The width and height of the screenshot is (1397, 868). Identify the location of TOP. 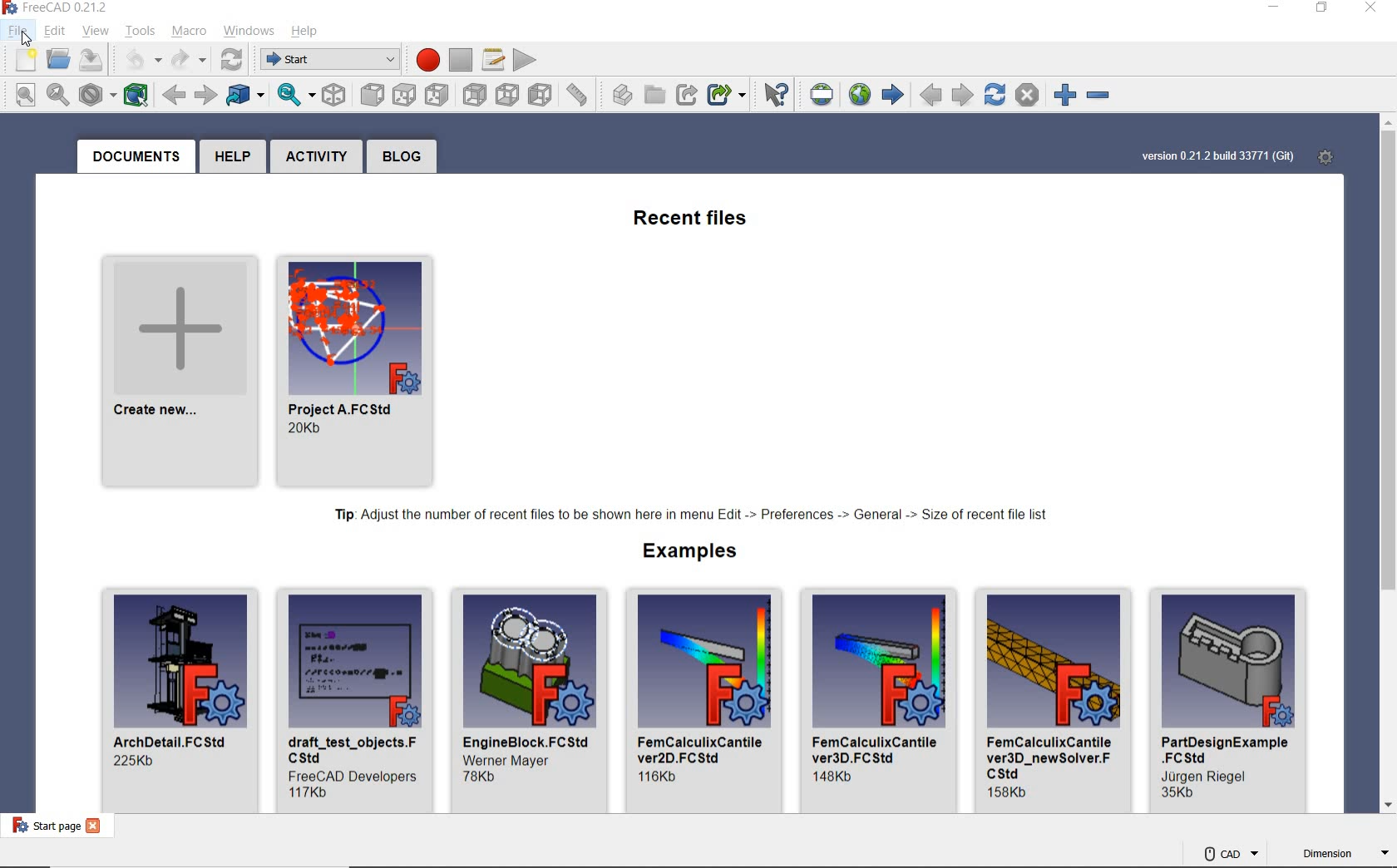
(406, 95).